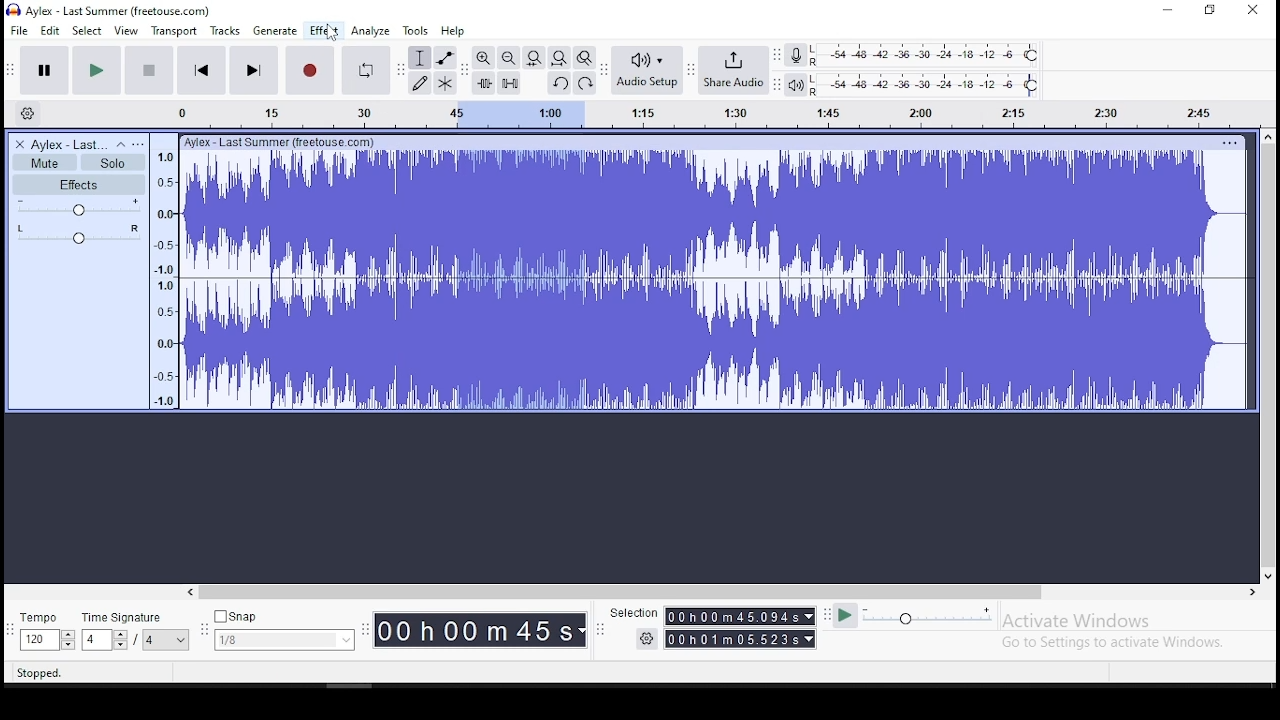 This screenshot has height=720, width=1280. I want to click on zoom in, so click(483, 58).